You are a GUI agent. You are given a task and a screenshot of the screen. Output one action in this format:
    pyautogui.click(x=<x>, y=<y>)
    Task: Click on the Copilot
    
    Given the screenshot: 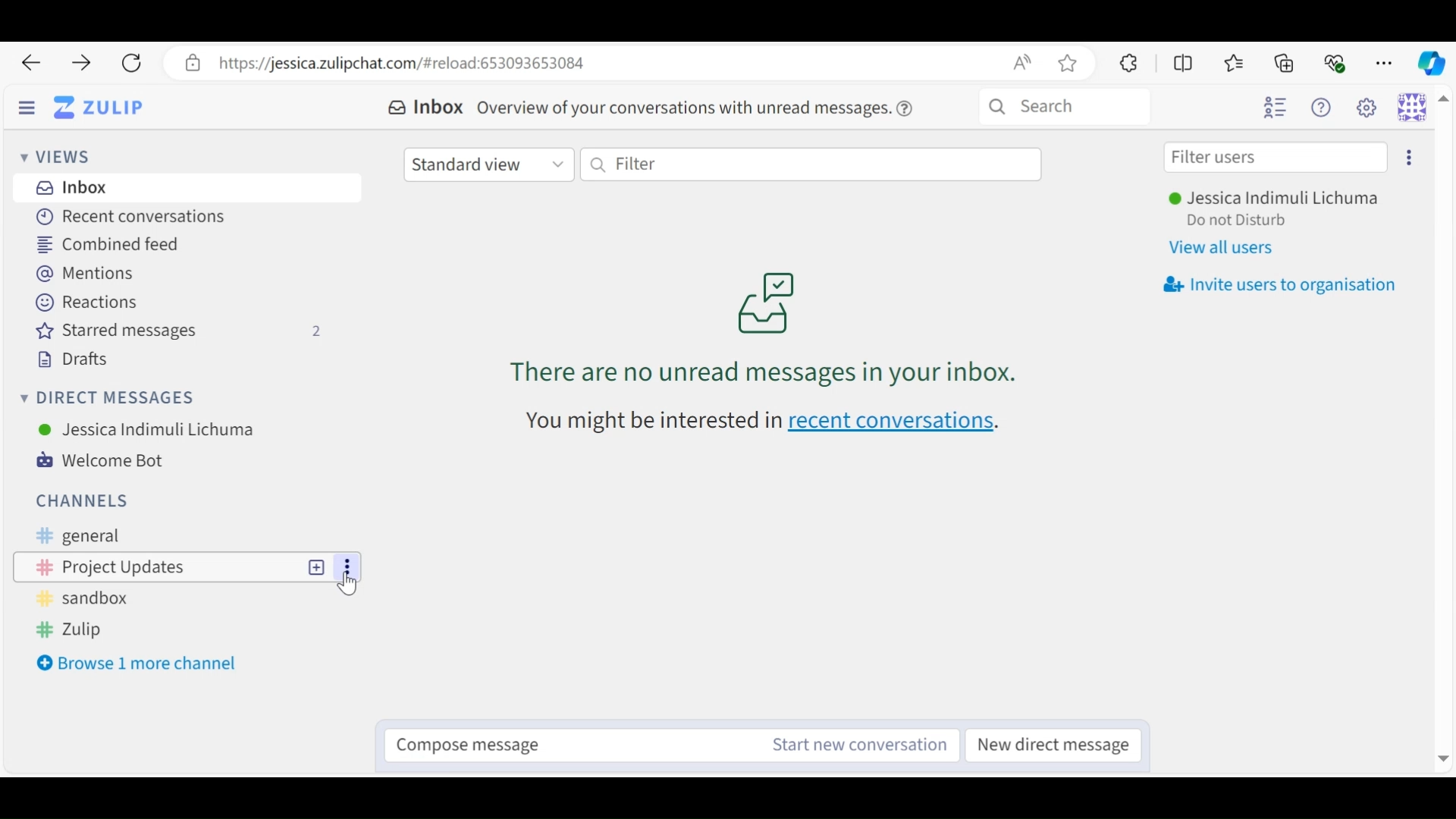 What is the action you would take?
    pyautogui.click(x=1430, y=61)
    